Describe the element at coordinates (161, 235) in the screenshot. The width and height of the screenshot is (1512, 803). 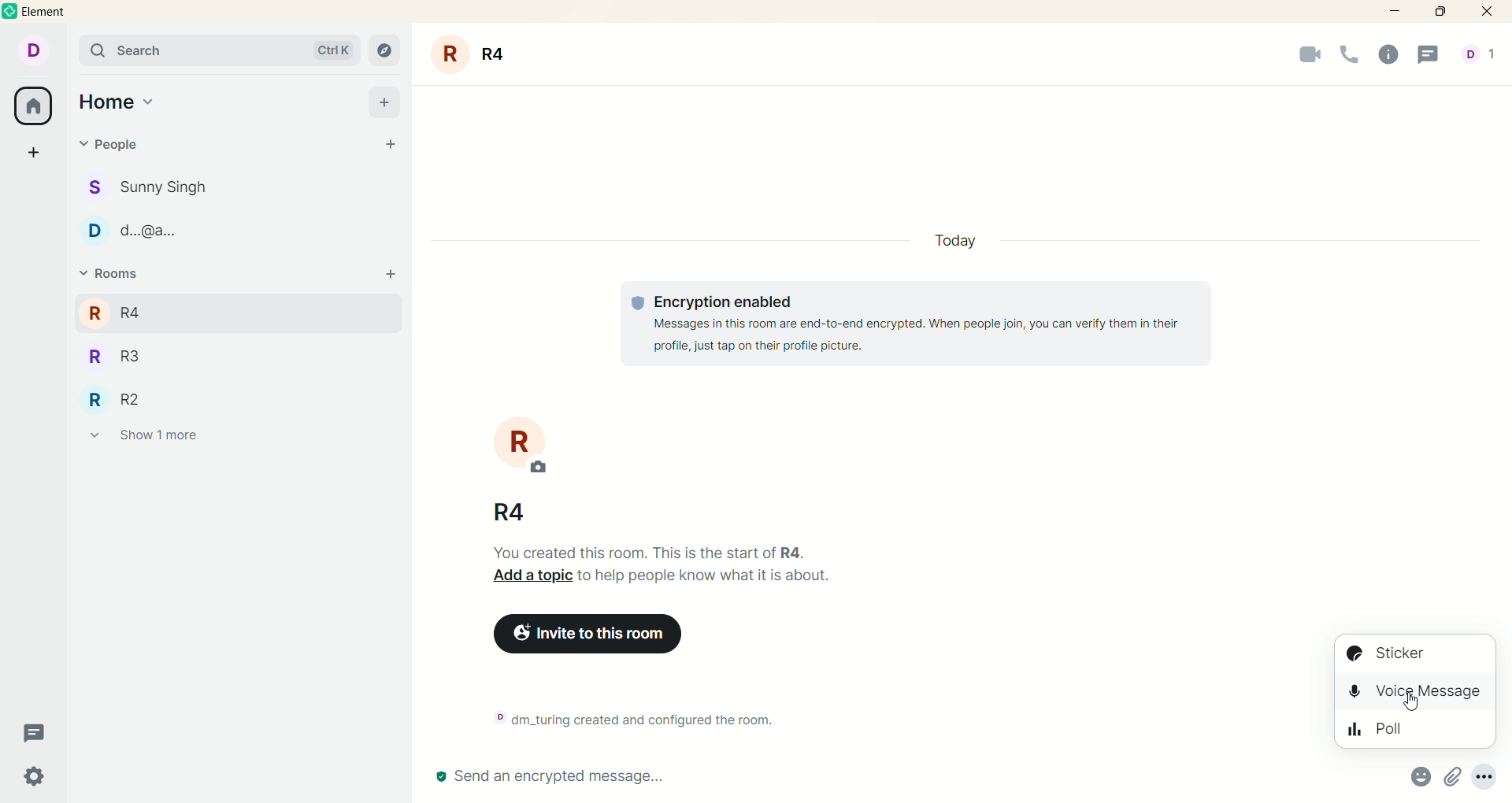
I see `people` at that location.